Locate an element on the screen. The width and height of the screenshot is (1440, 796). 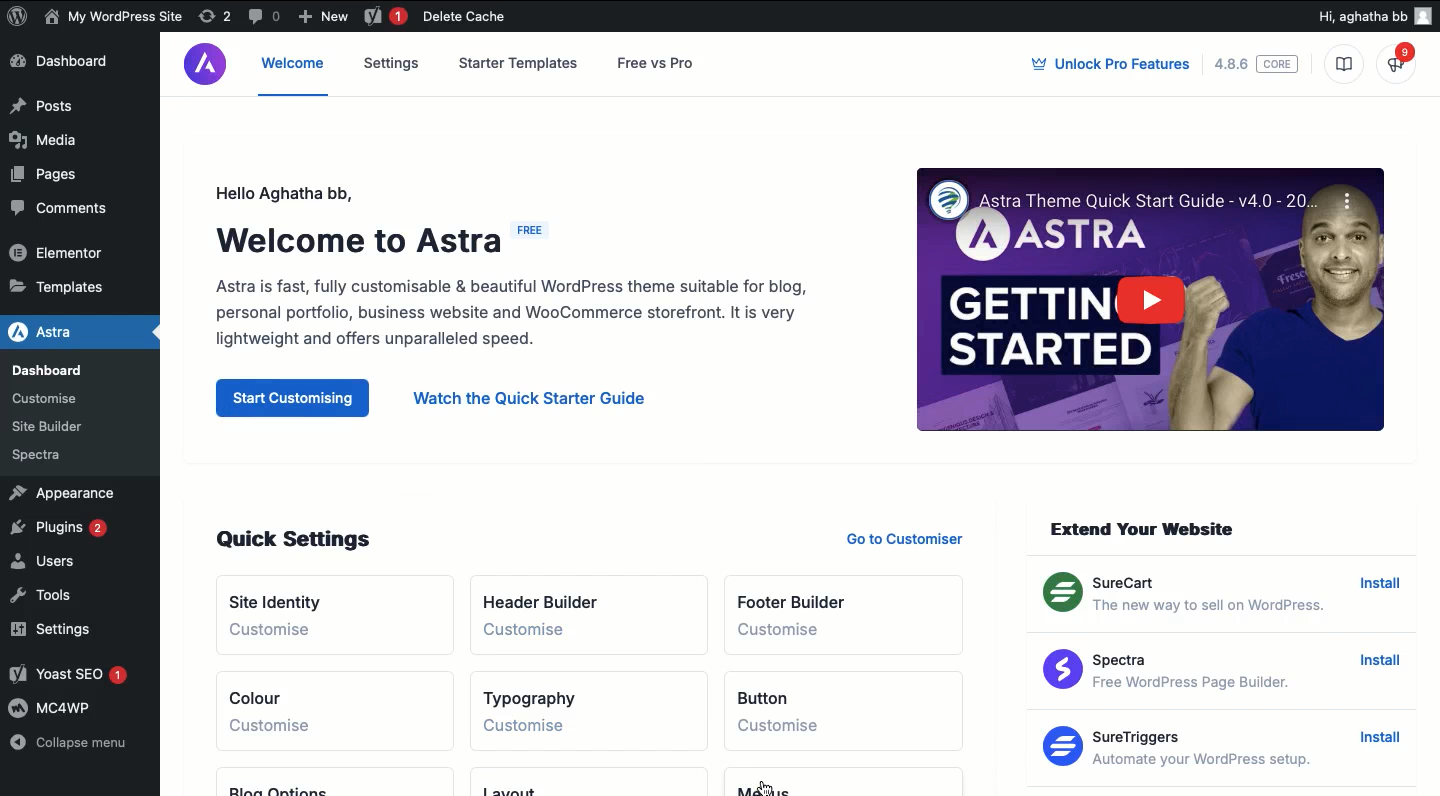
Quick settings is located at coordinates (297, 540).